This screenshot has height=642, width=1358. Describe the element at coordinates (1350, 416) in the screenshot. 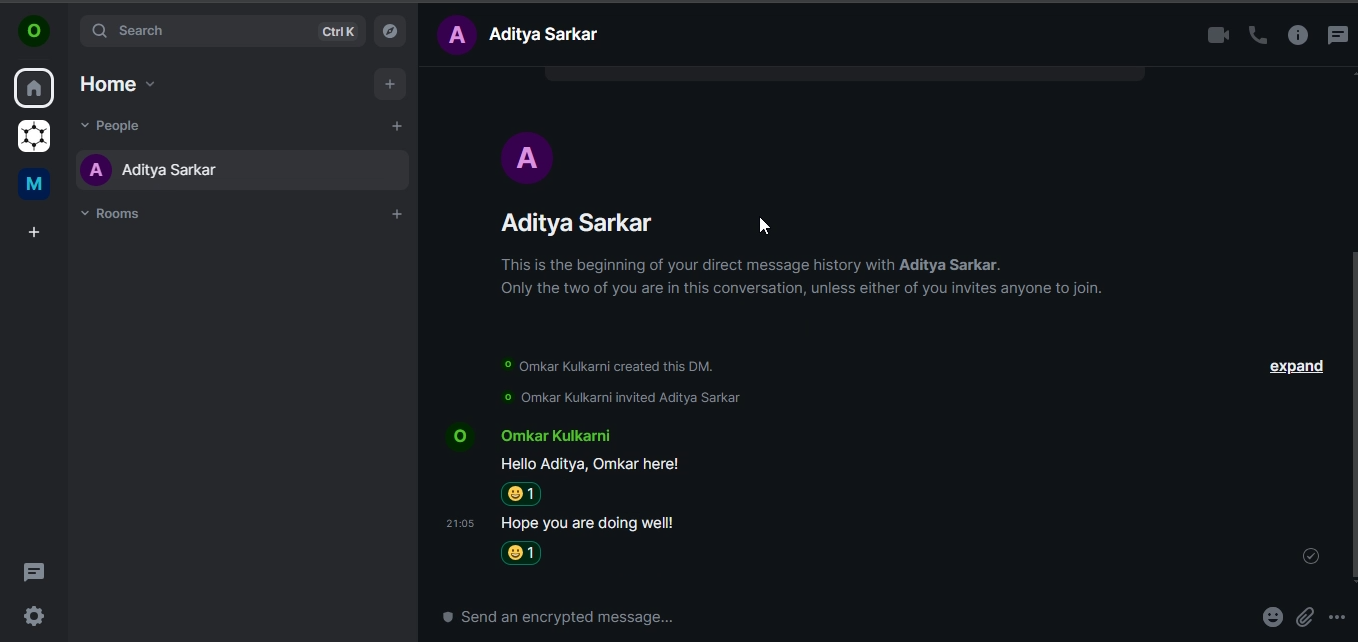

I see `scroll bar` at that location.